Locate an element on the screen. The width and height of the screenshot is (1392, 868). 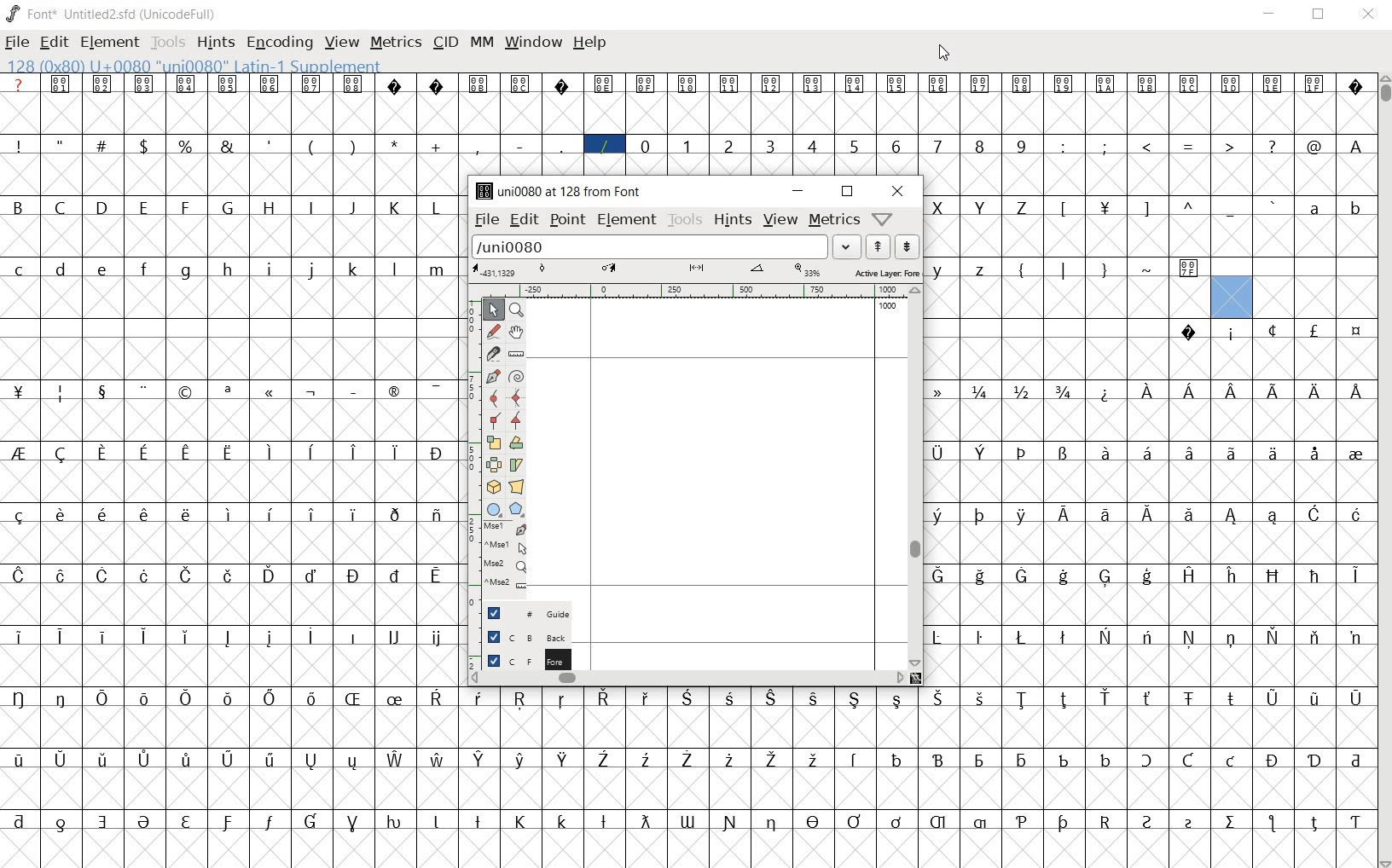
glyph is located at coordinates (438, 639).